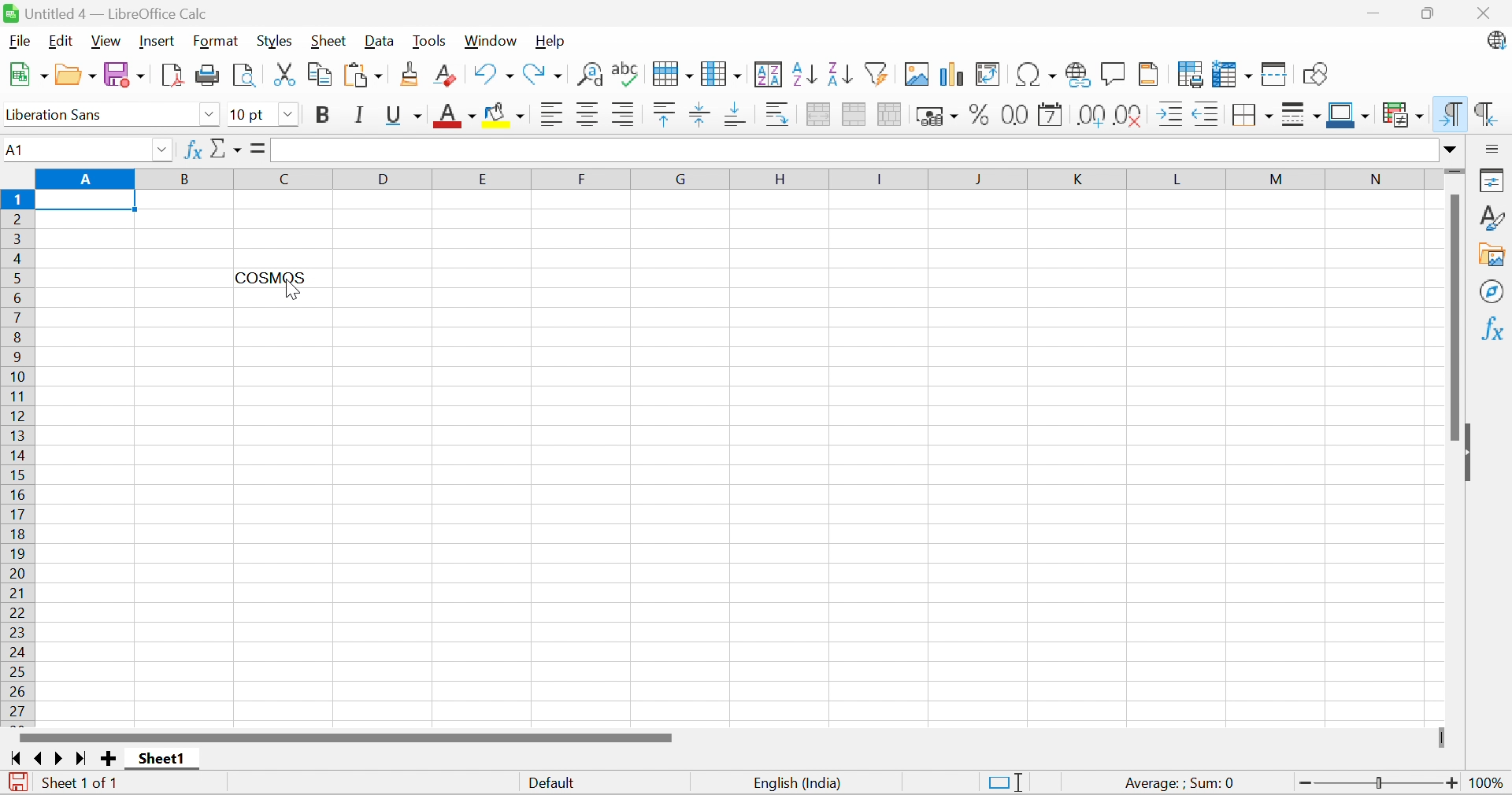  I want to click on Merge Cells, so click(854, 115).